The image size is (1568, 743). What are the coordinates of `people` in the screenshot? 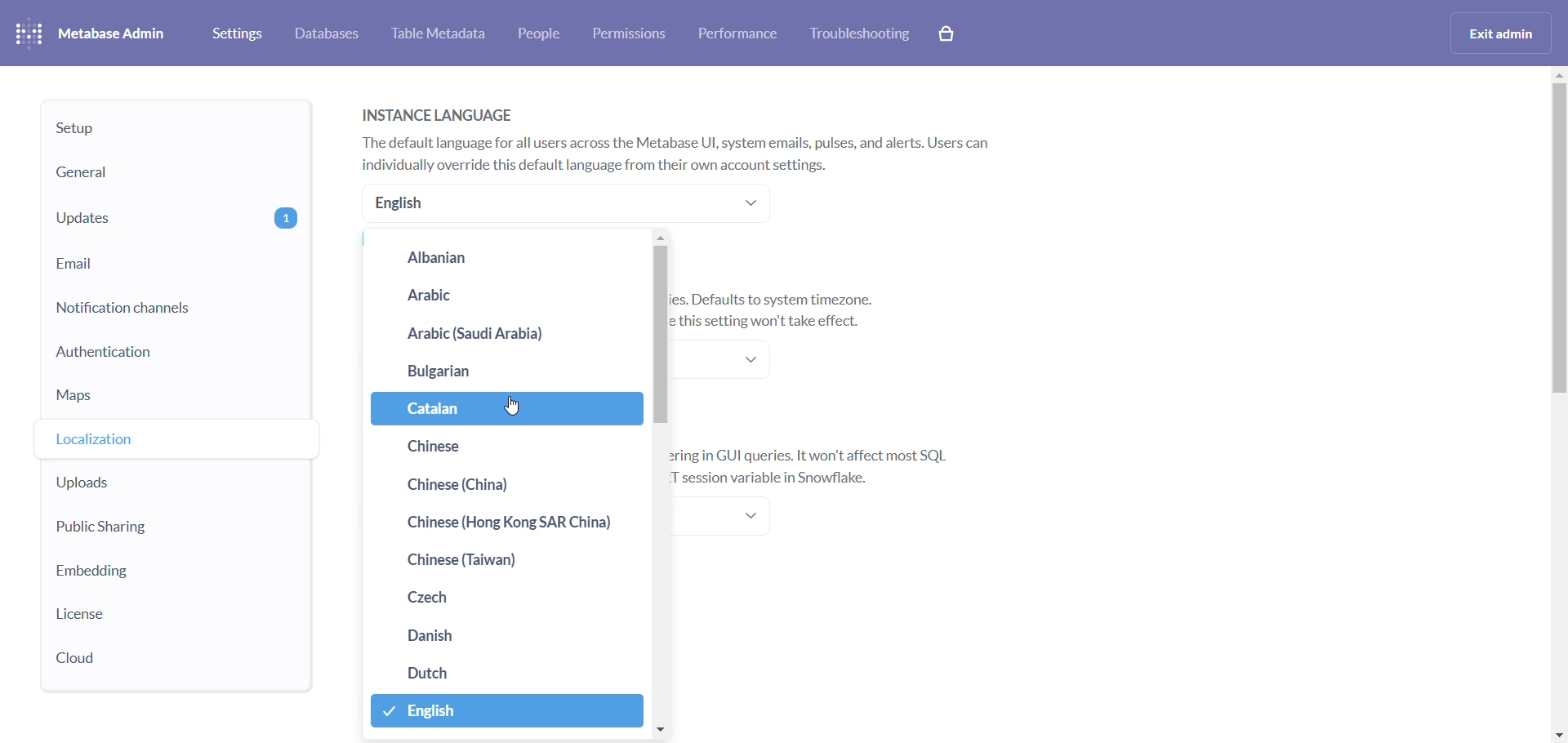 It's located at (543, 33).